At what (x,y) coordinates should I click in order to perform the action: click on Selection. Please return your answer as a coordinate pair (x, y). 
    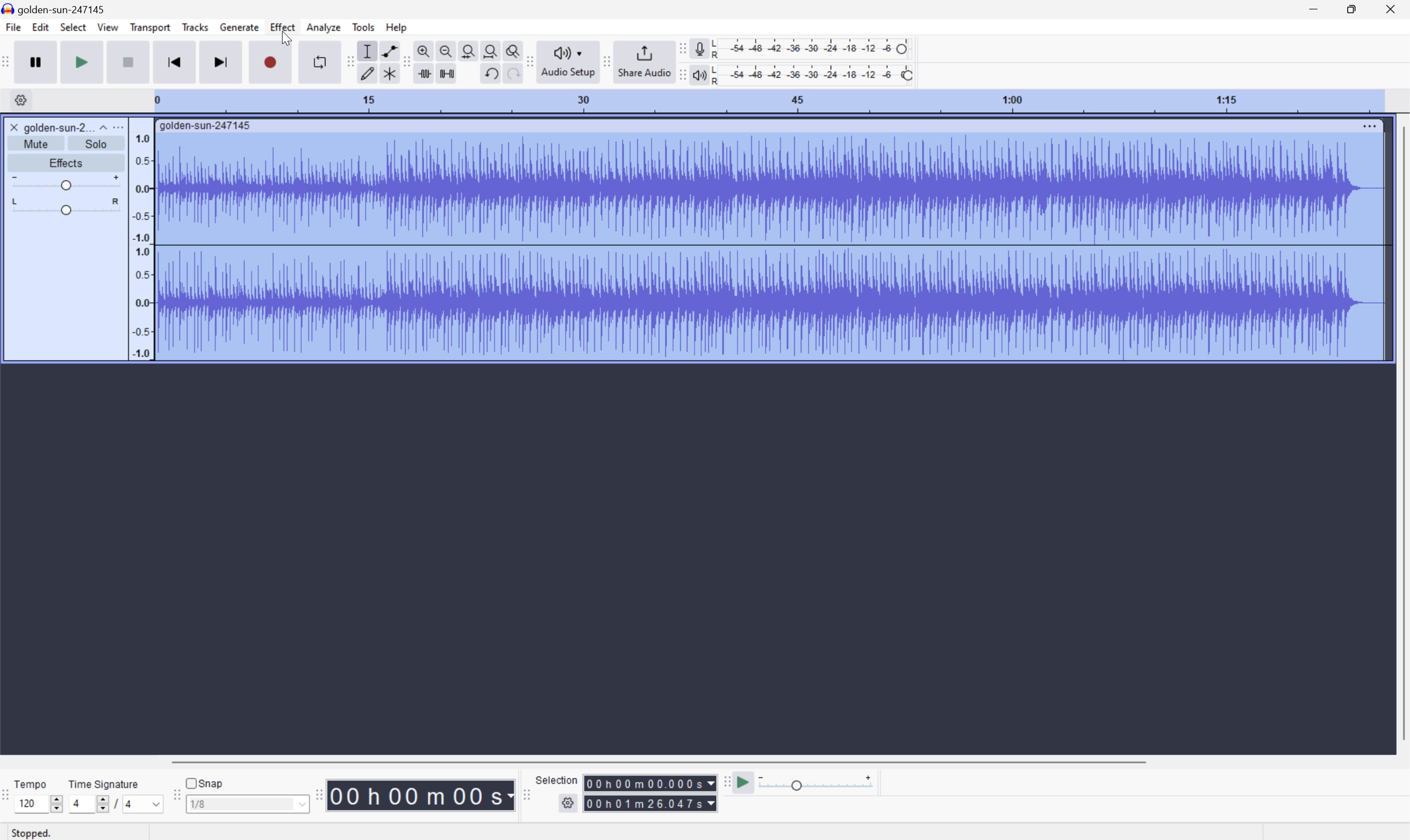
    Looking at the image, I should click on (556, 779).